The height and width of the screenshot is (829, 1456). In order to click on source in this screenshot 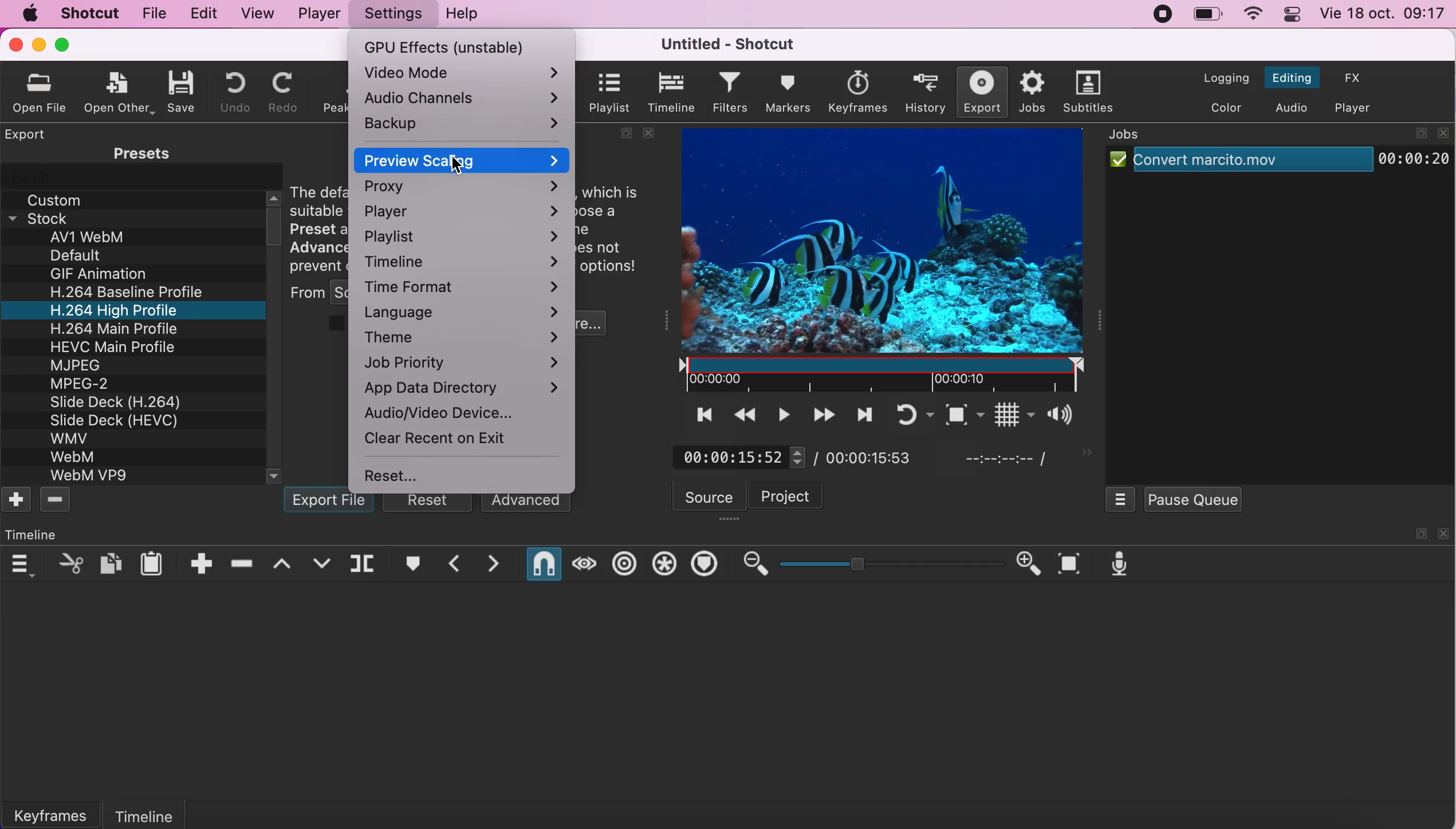, I will do `click(710, 496)`.